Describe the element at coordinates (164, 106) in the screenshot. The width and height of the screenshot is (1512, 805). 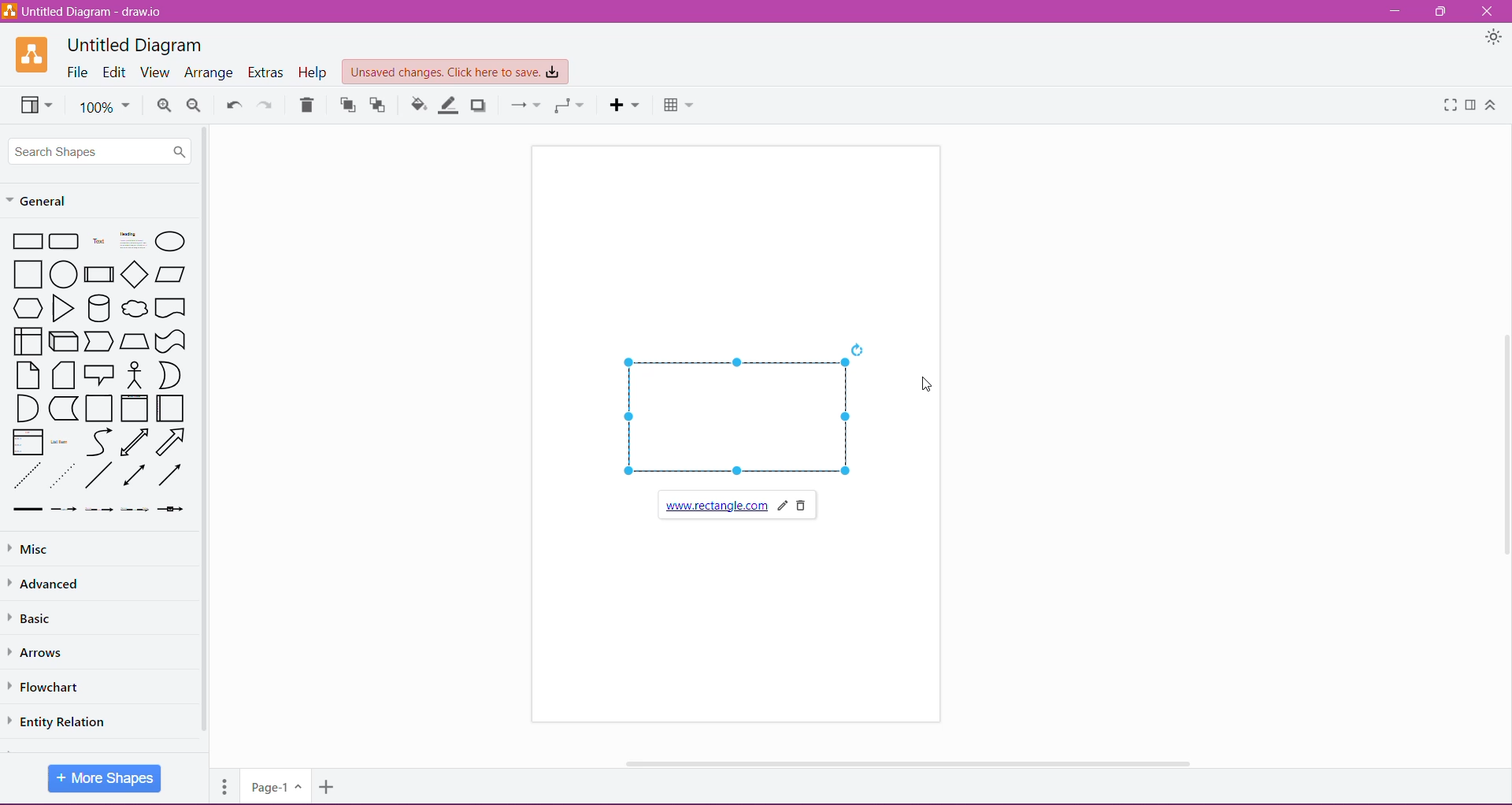
I see `Zoom In` at that location.